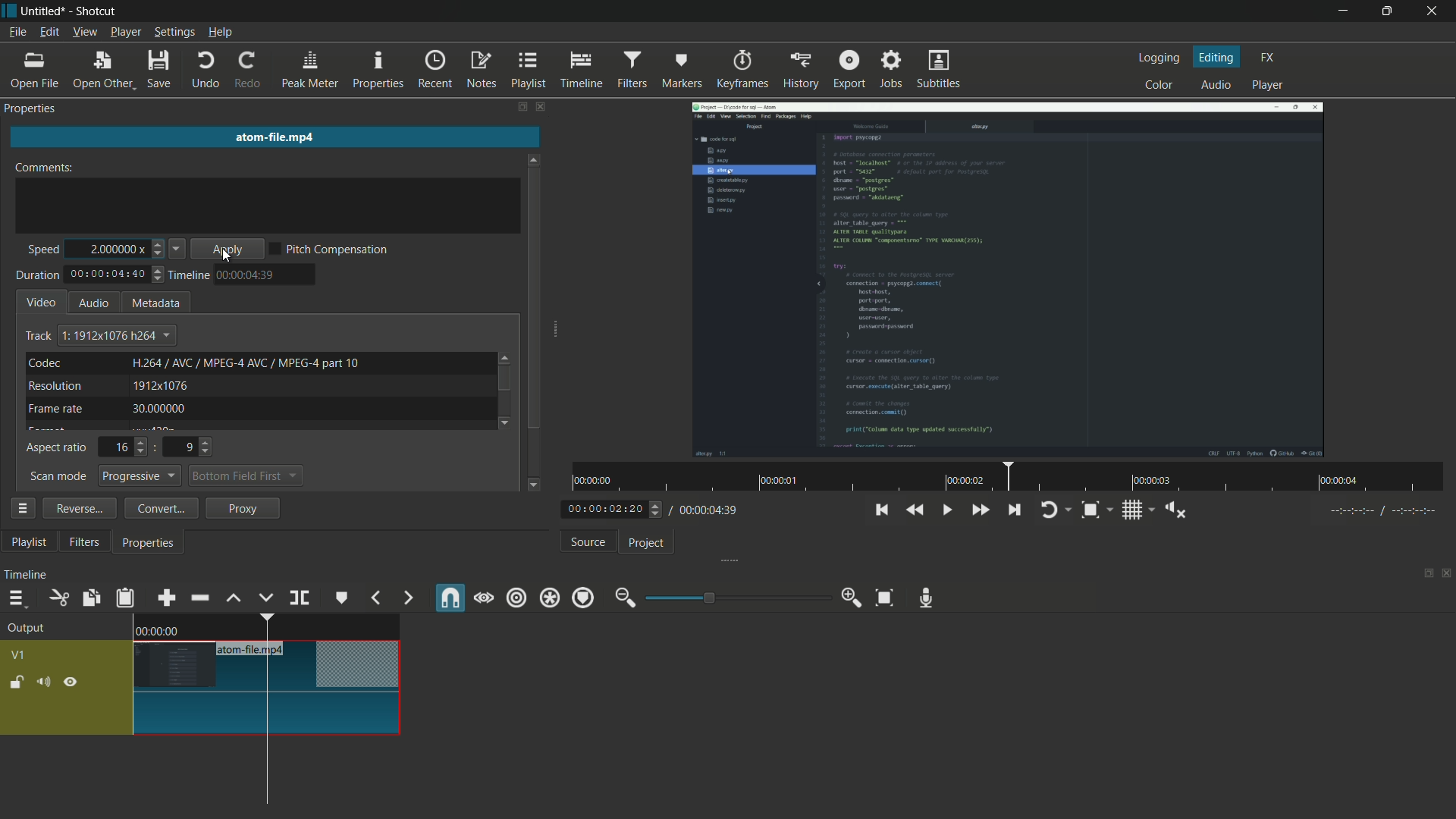 The width and height of the screenshot is (1456, 819). I want to click on next marker, so click(406, 598).